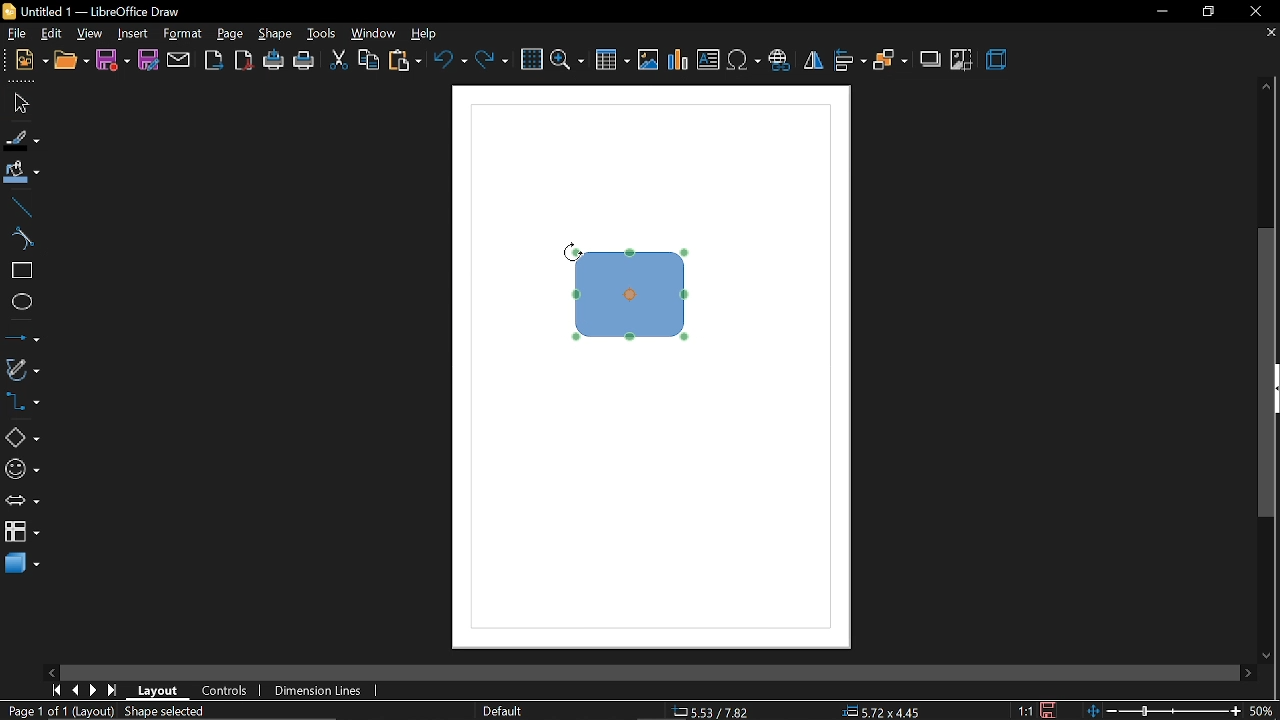 The height and width of the screenshot is (720, 1280). Describe the element at coordinates (19, 208) in the screenshot. I see `line` at that location.